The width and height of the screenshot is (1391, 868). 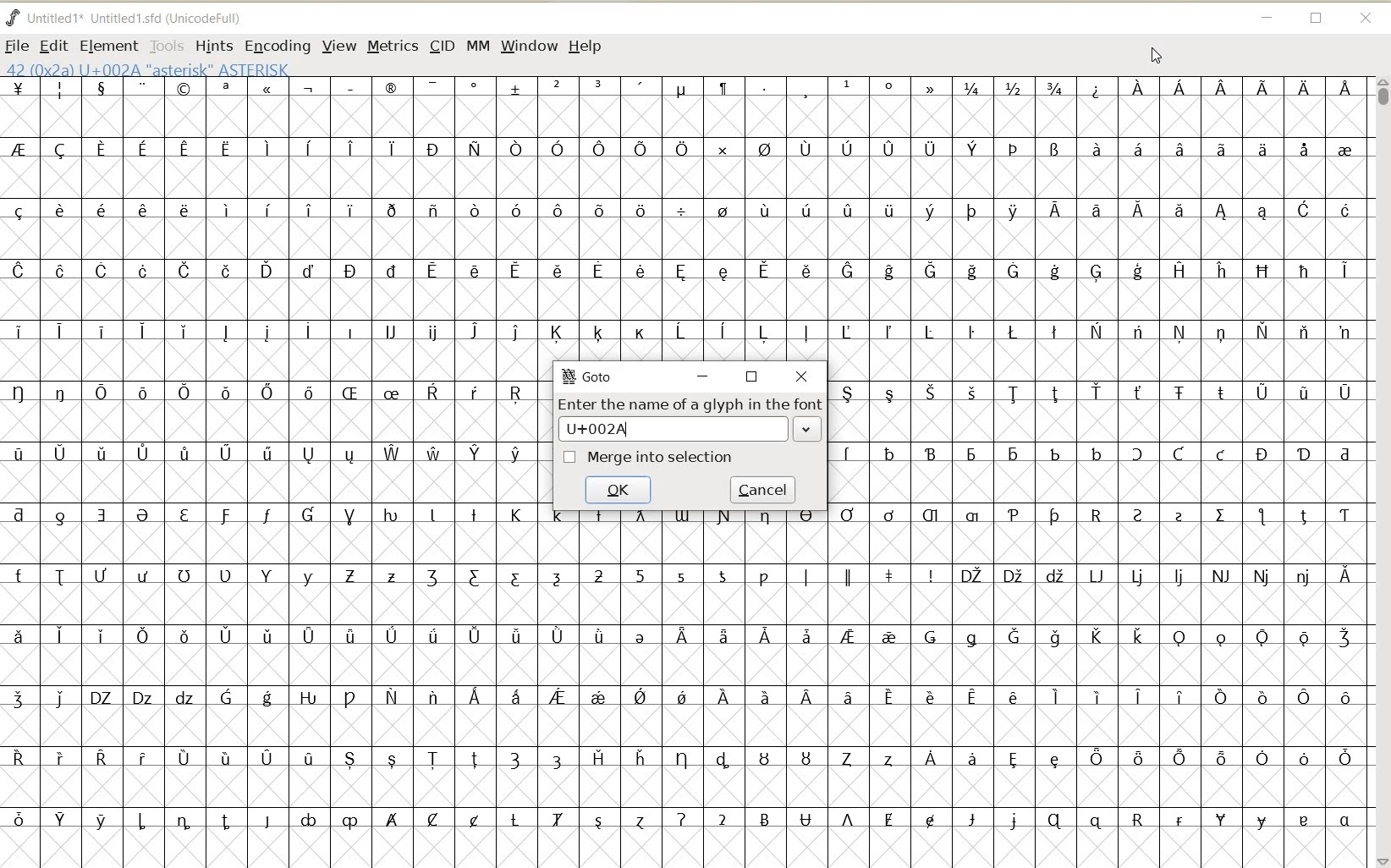 What do you see at coordinates (276, 613) in the screenshot?
I see `GLYPHY CHARACTERS & NUMBERS` at bounding box center [276, 613].